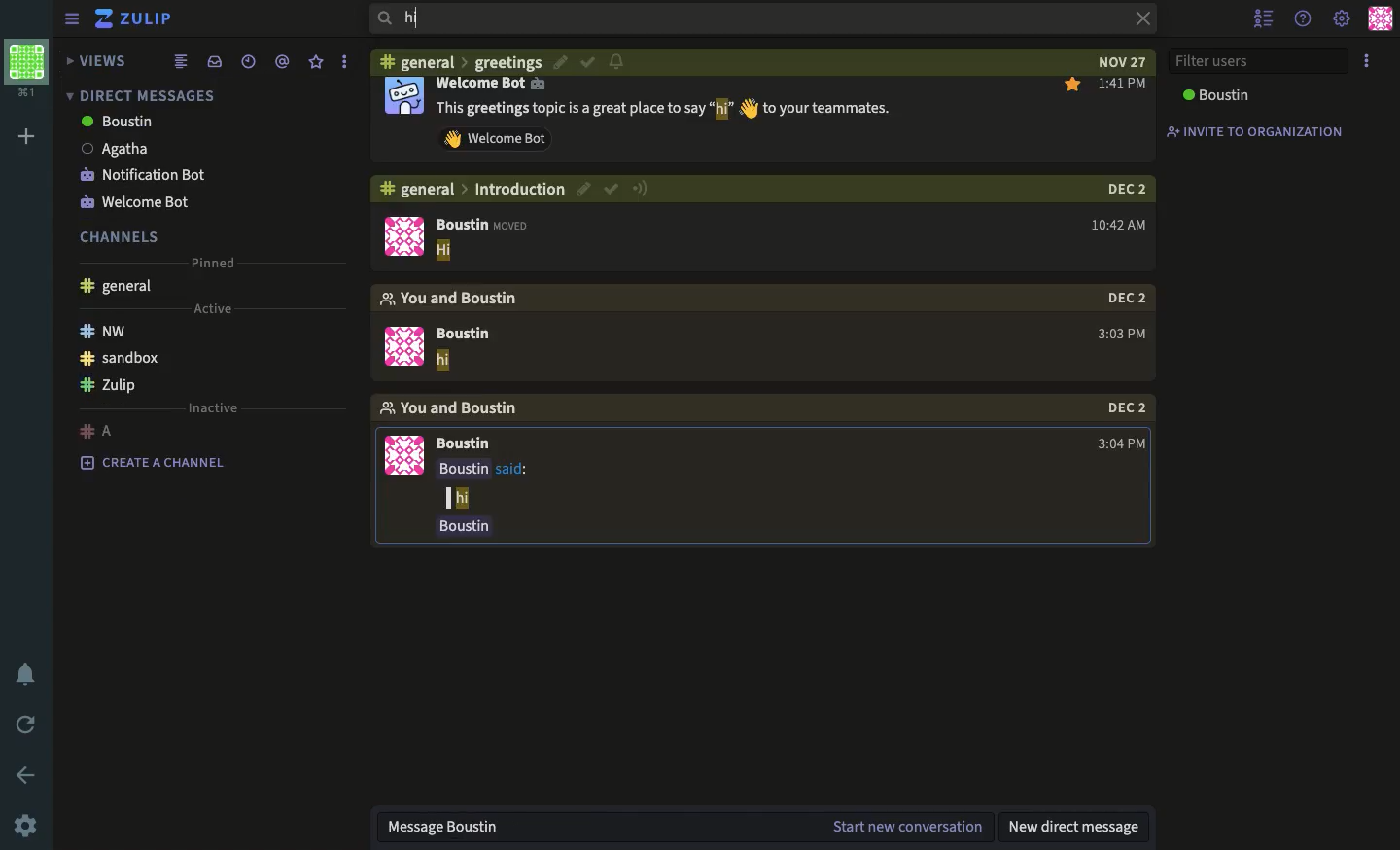 Image resolution: width=1400 pixels, height=850 pixels. What do you see at coordinates (470, 443) in the screenshot?
I see `Boustin` at bounding box center [470, 443].